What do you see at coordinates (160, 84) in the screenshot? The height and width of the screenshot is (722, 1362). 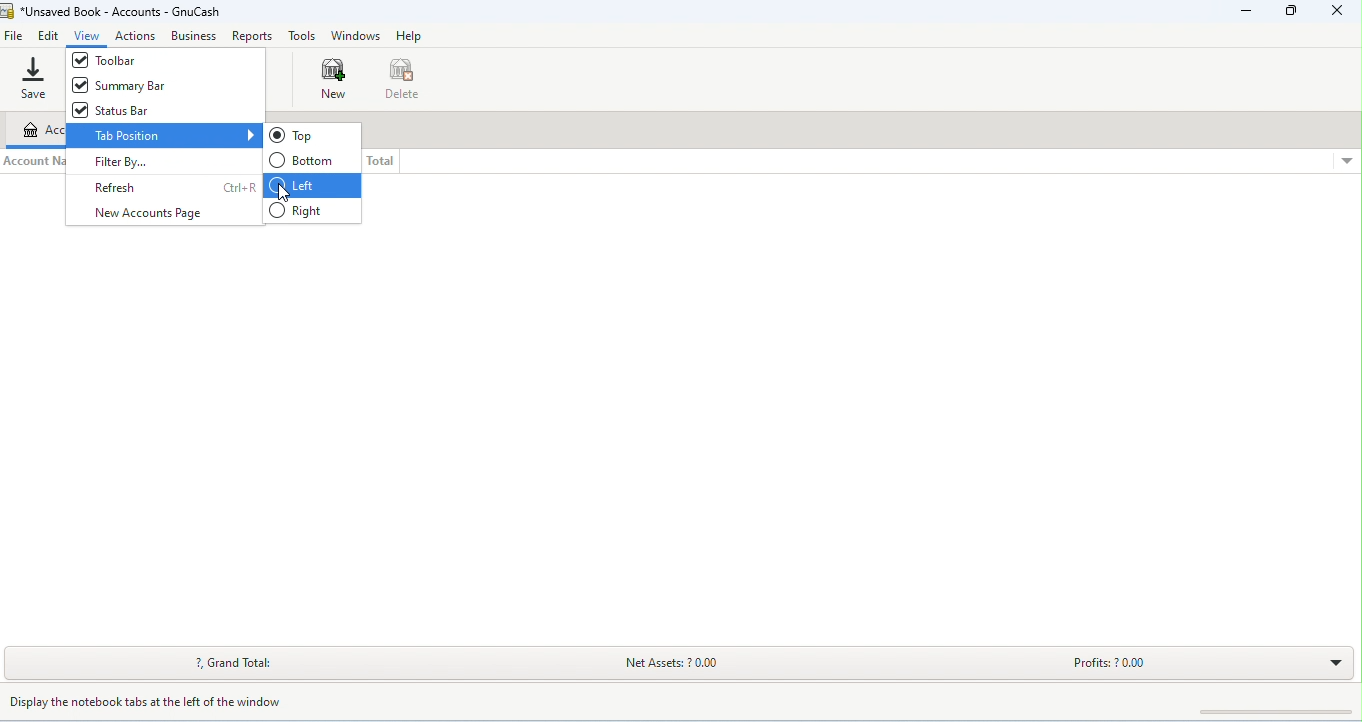 I see `summary bar` at bounding box center [160, 84].